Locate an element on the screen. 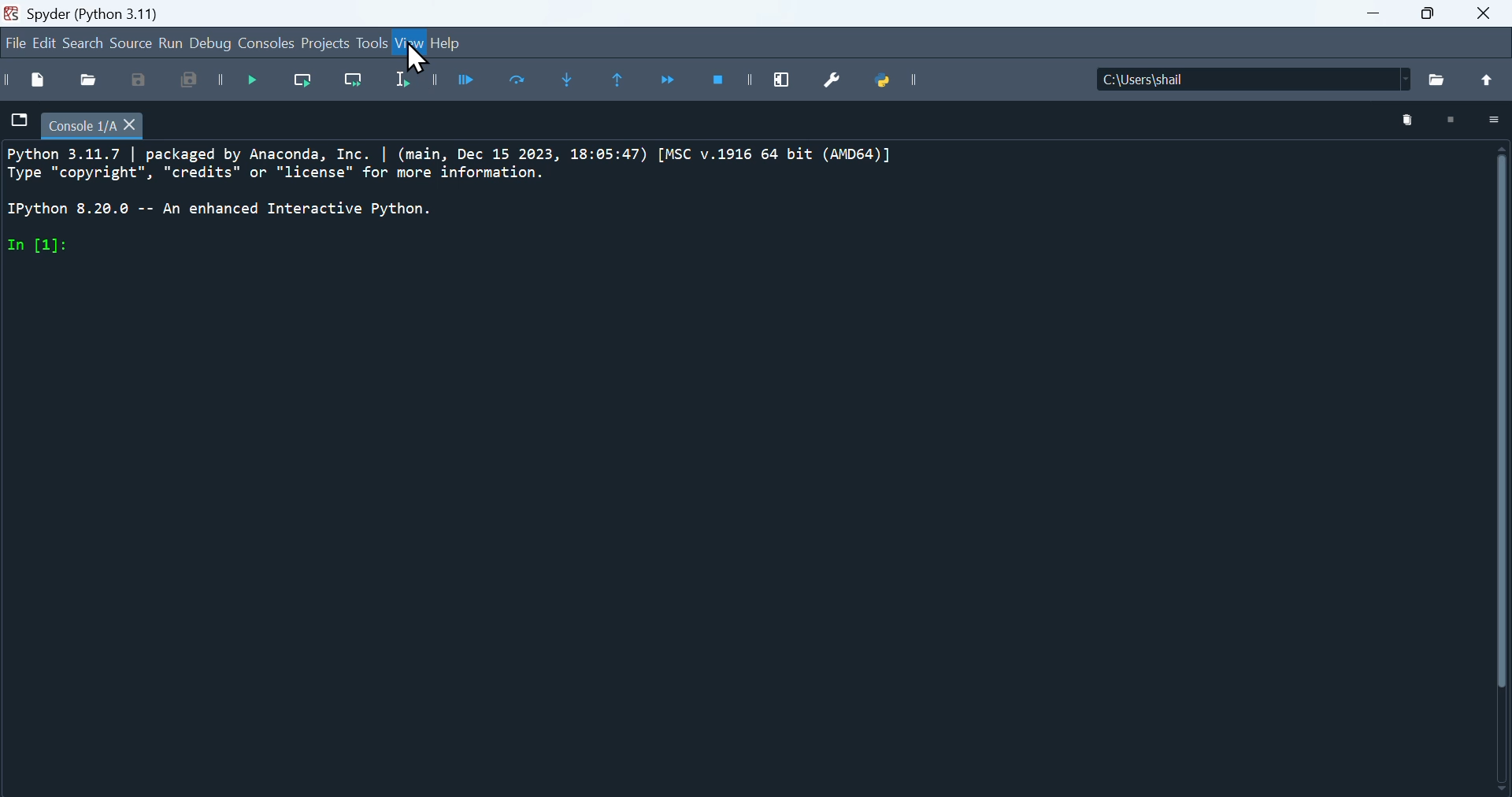 This screenshot has width=1512, height=797. open file is located at coordinates (89, 78).